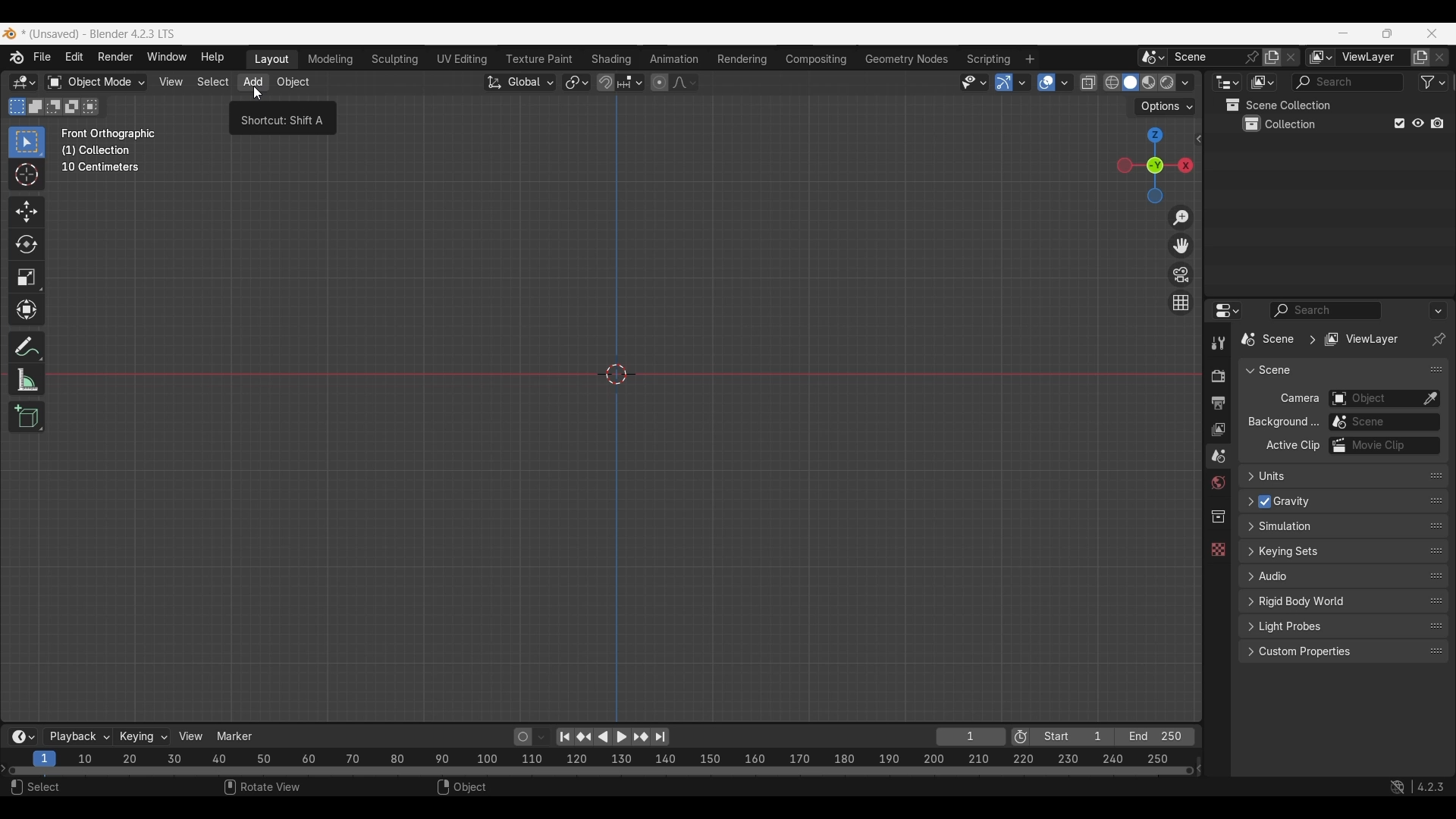 This screenshot has width=1456, height=819. I want to click on Intersect existing selection, so click(89, 107).